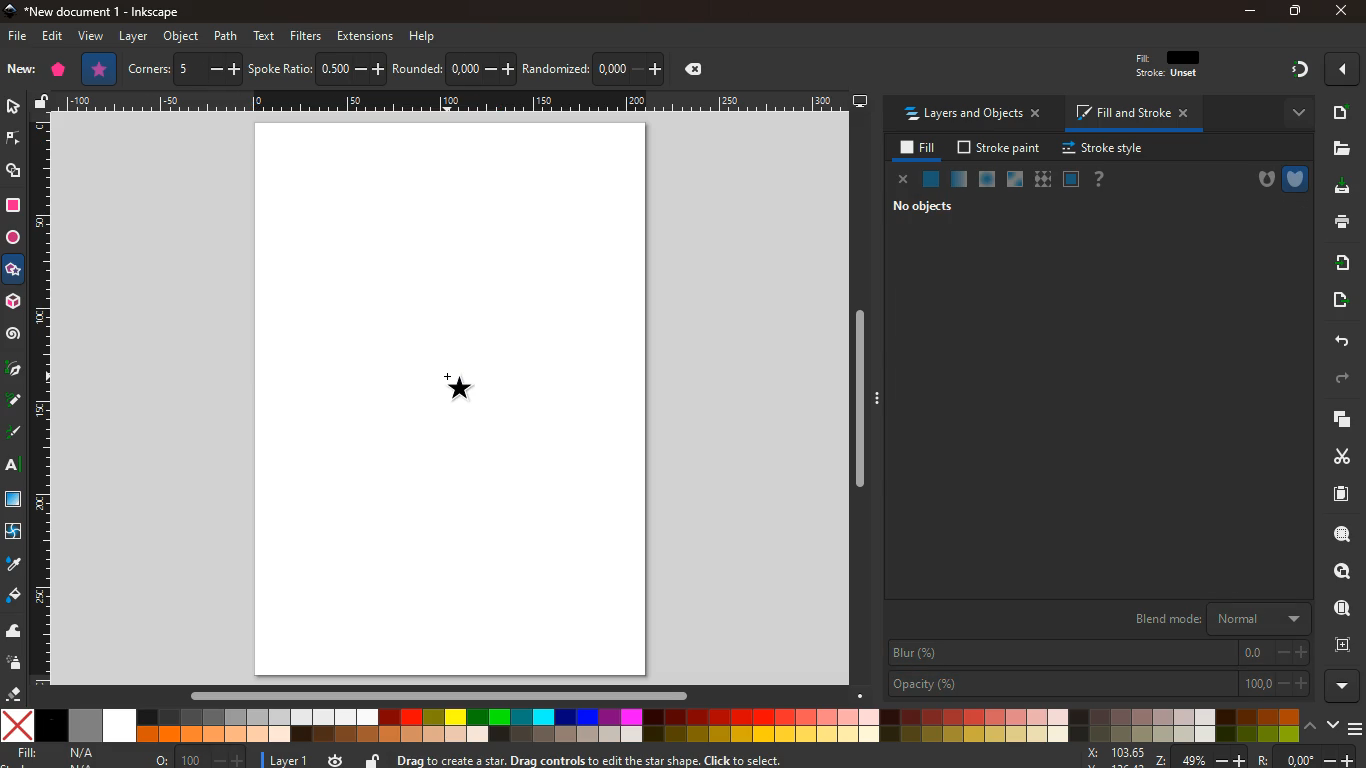 This screenshot has width=1366, height=768. What do you see at coordinates (1337, 114) in the screenshot?
I see `new` at bounding box center [1337, 114].